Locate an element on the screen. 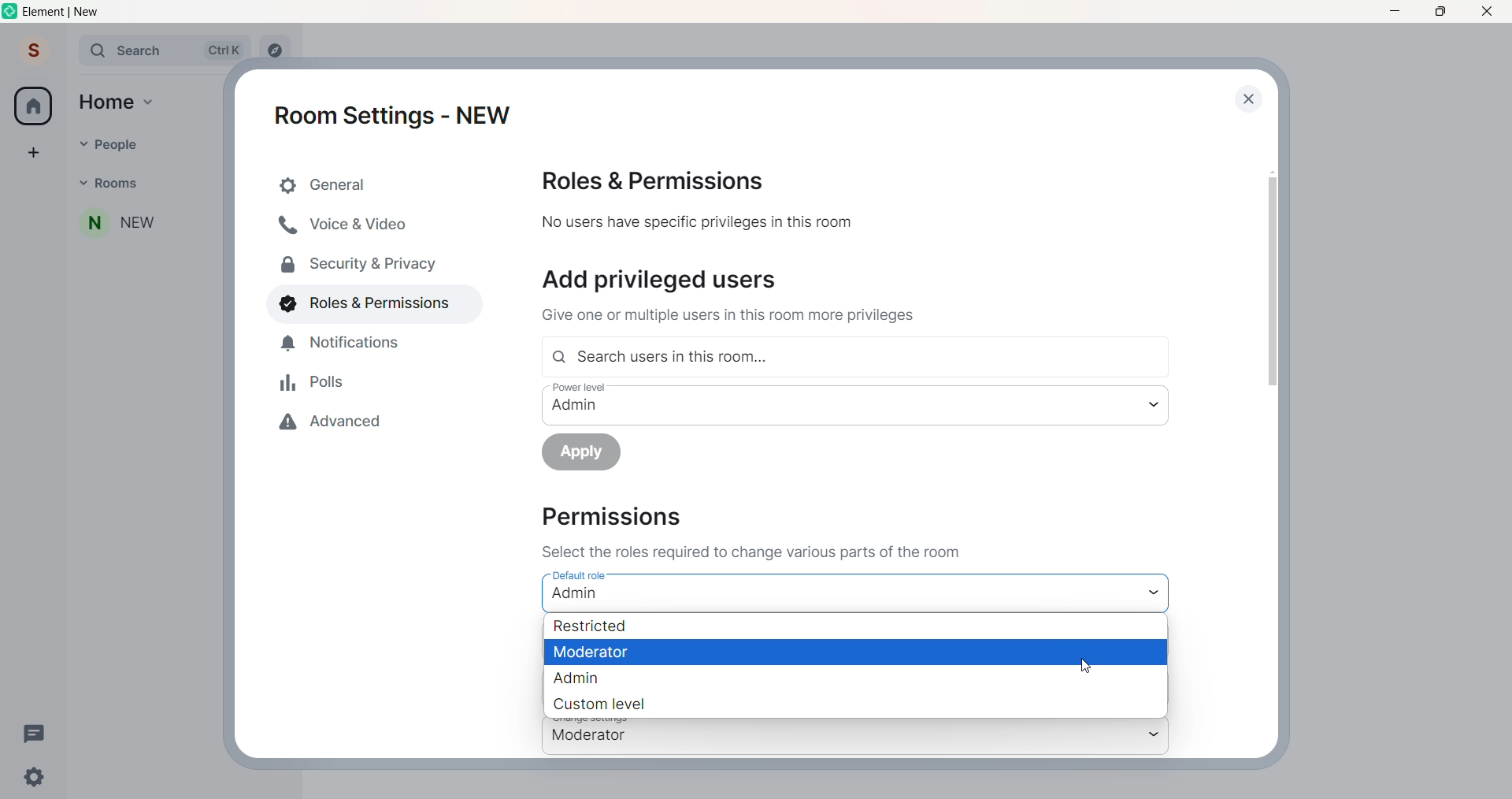  power level dropdown is located at coordinates (1155, 406).